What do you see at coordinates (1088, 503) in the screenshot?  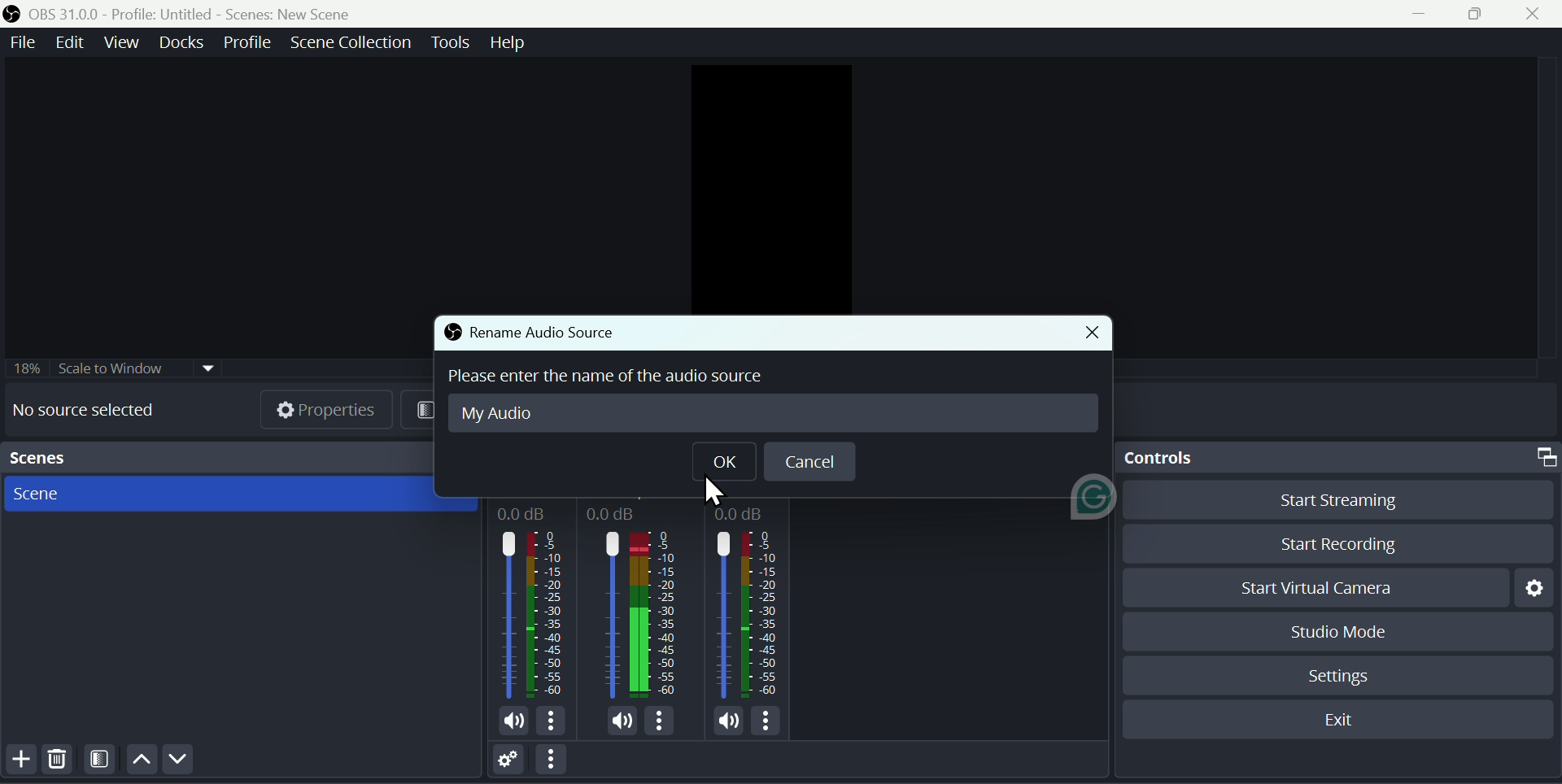 I see `Grammarly` at bounding box center [1088, 503].